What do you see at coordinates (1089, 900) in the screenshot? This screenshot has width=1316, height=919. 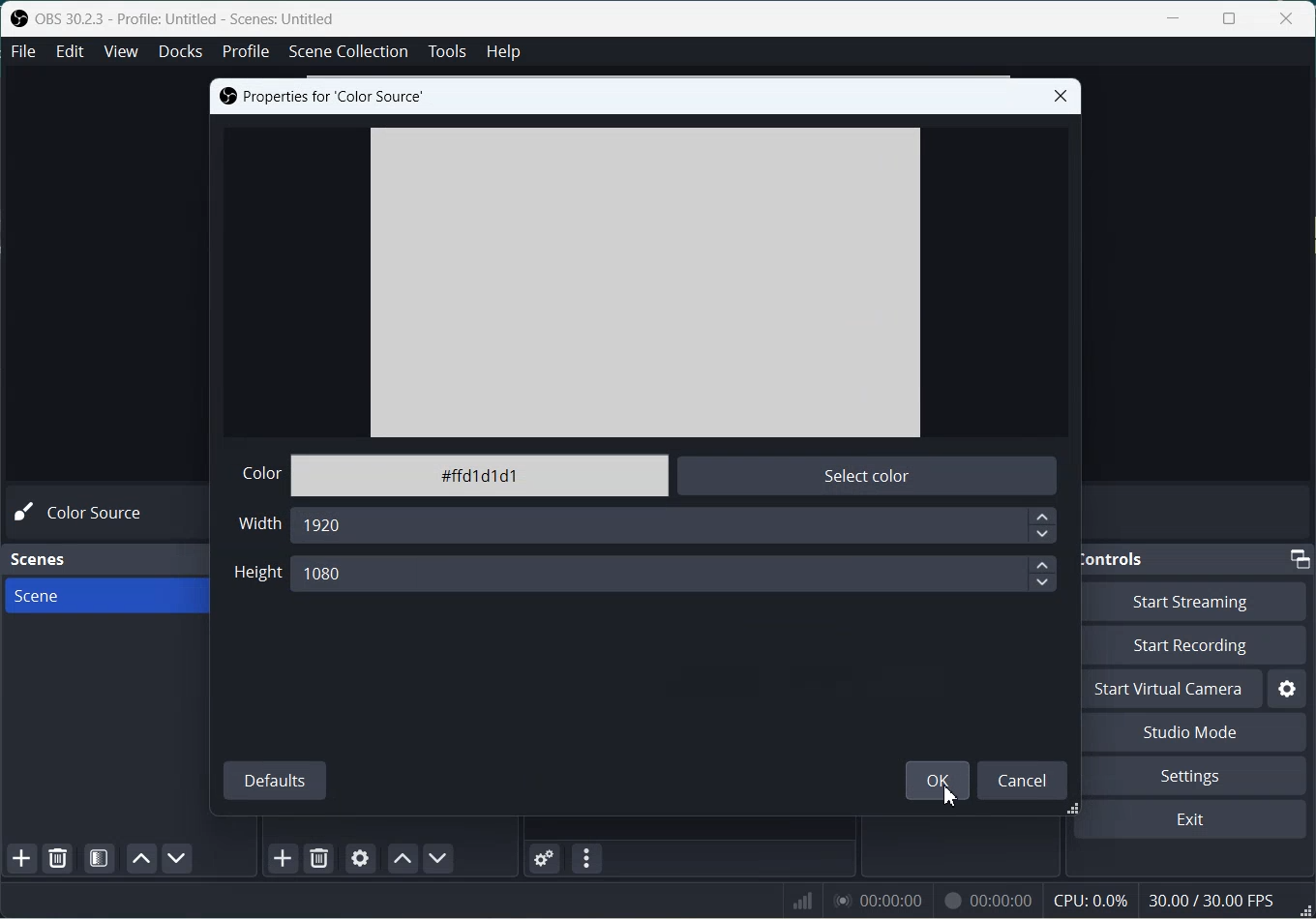 I see `CPU: 0.0%` at bounding box center [1089, 900].